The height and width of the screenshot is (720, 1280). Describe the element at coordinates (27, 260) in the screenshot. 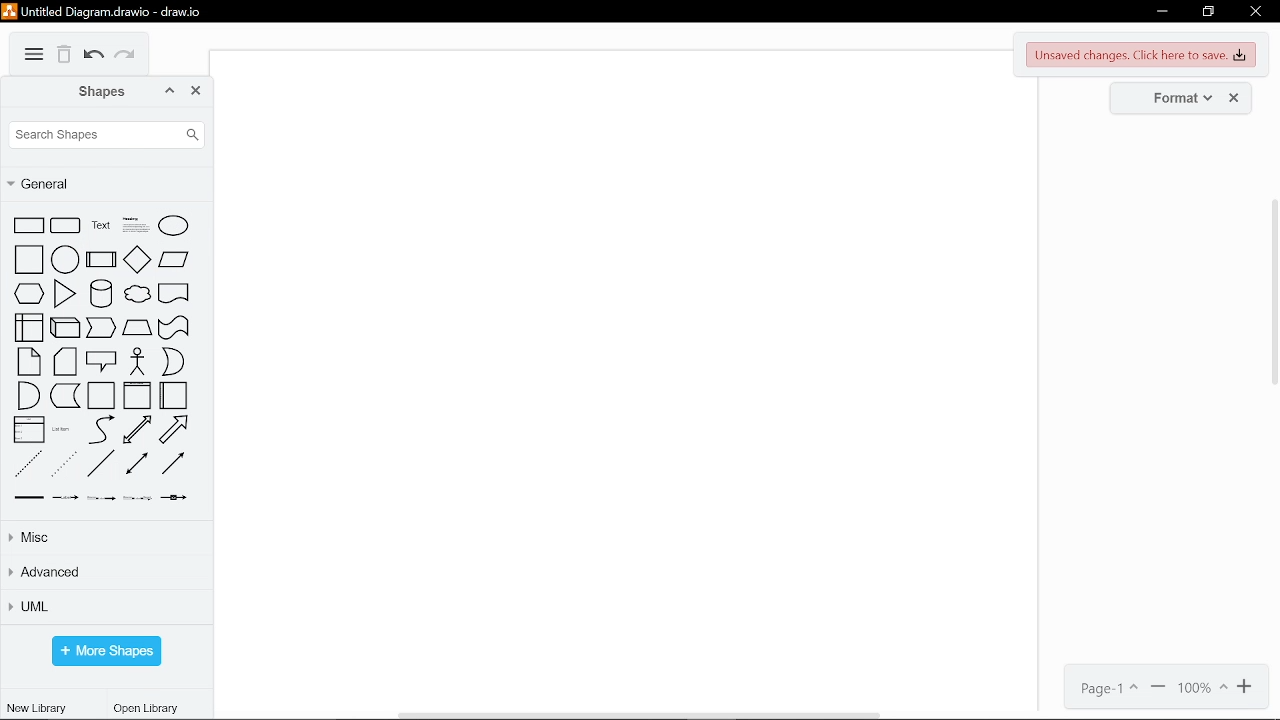

I see `square` at that location.